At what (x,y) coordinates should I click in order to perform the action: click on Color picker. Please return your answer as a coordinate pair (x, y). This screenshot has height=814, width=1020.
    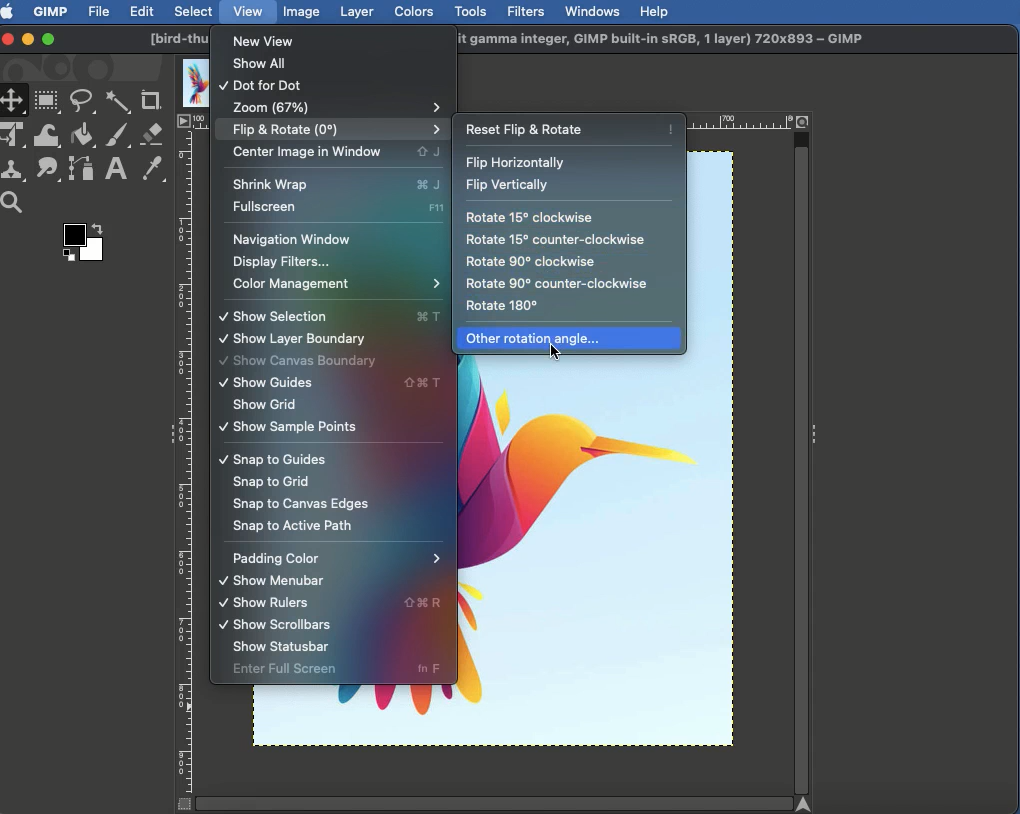
    Looking at the image, I should click on (151, 170).